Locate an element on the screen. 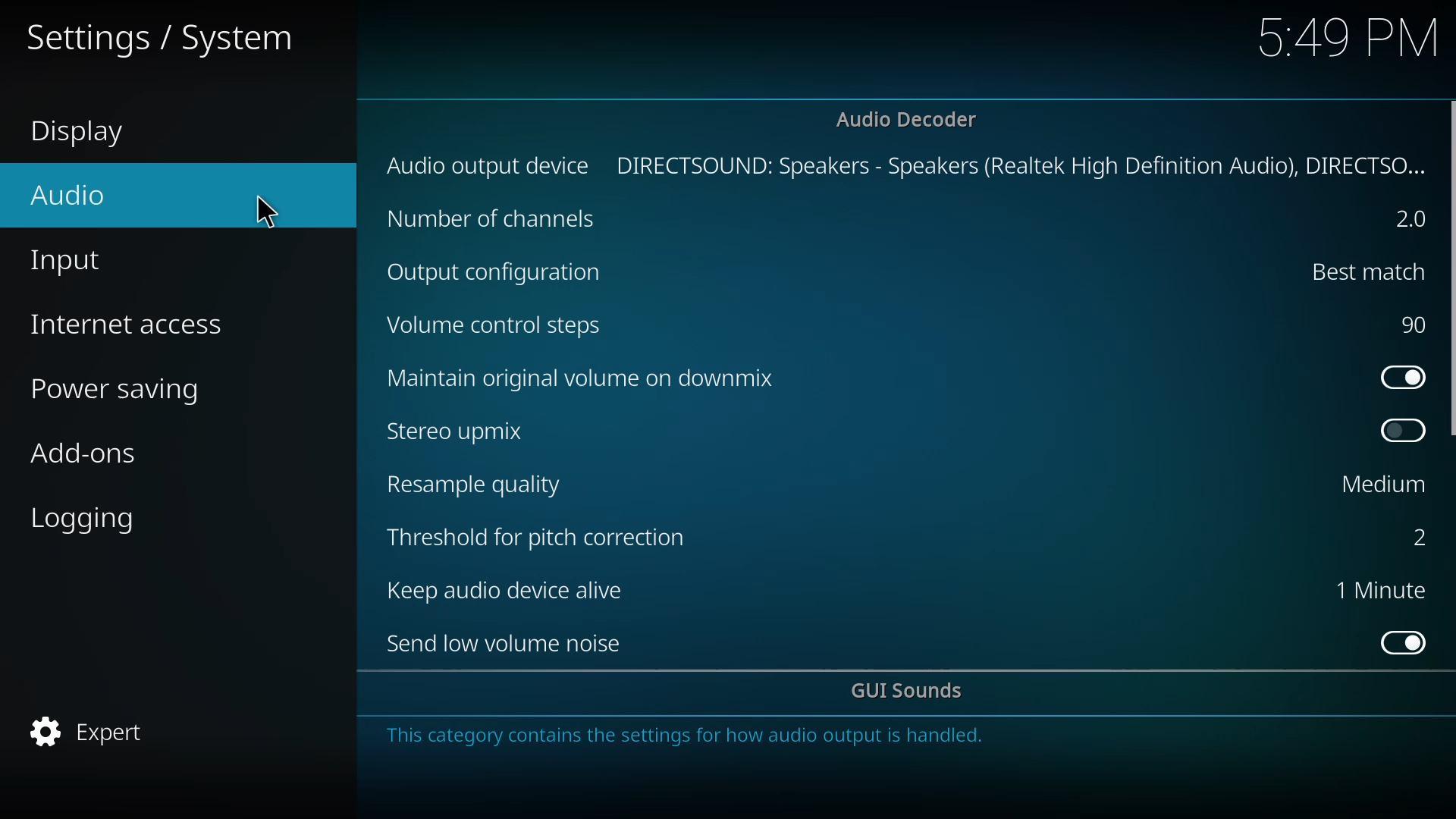 This screenshot has height=819, width=1456. info is located at coordinates (693, 737).